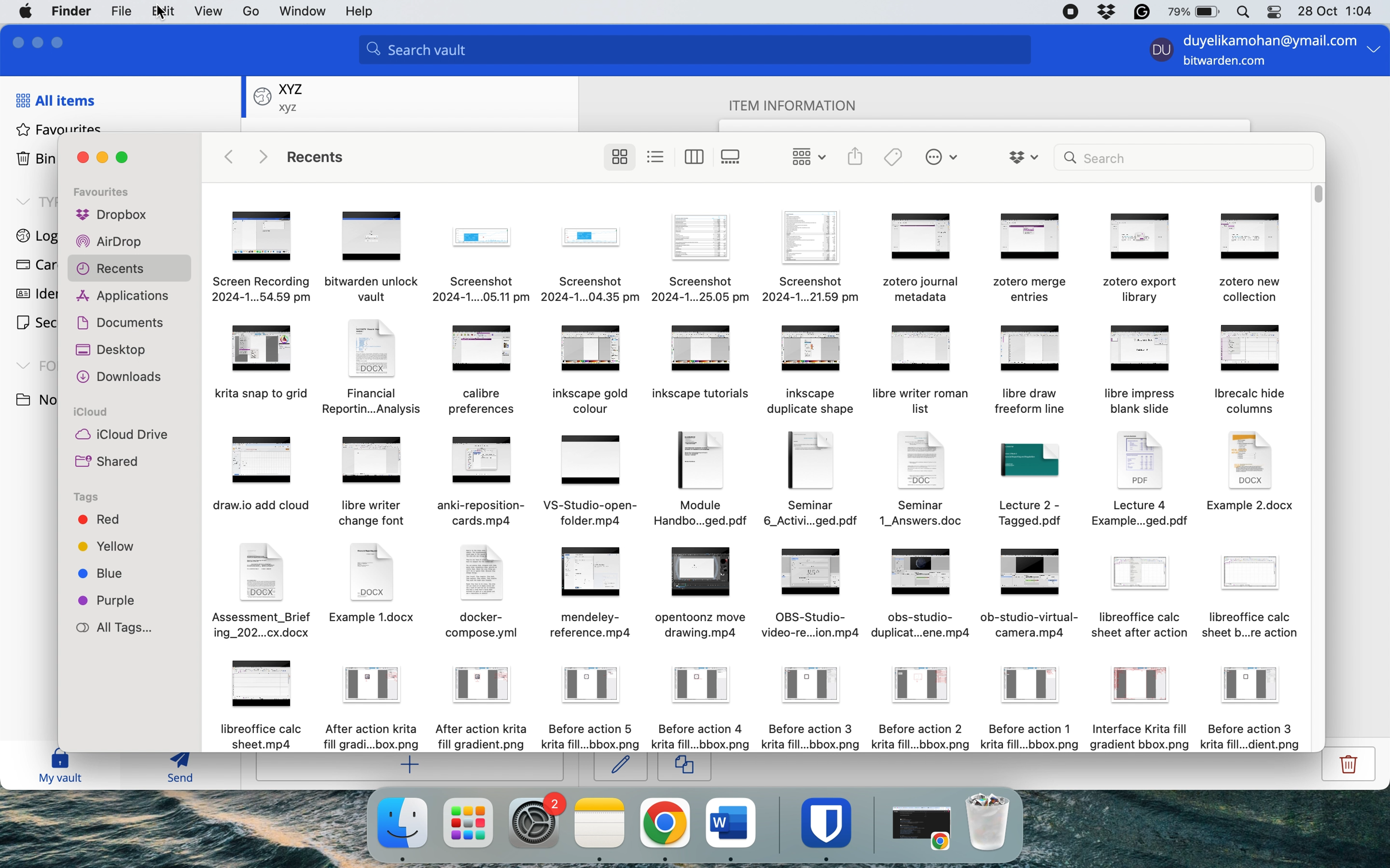  What do you see at coordinates (1072, 12) in the screenshot?
I see `screen recorder` at bounding box center [1072, 12].